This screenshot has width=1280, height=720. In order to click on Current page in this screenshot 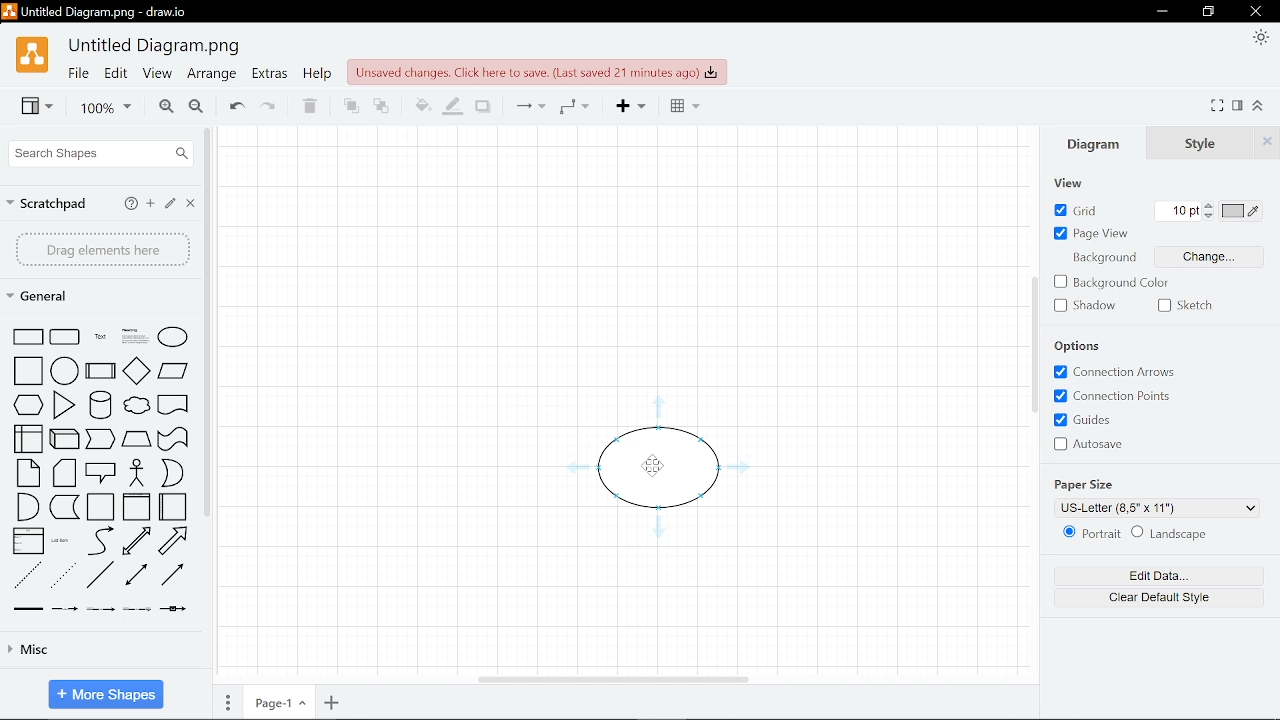, I will do `click(277, 701)`.